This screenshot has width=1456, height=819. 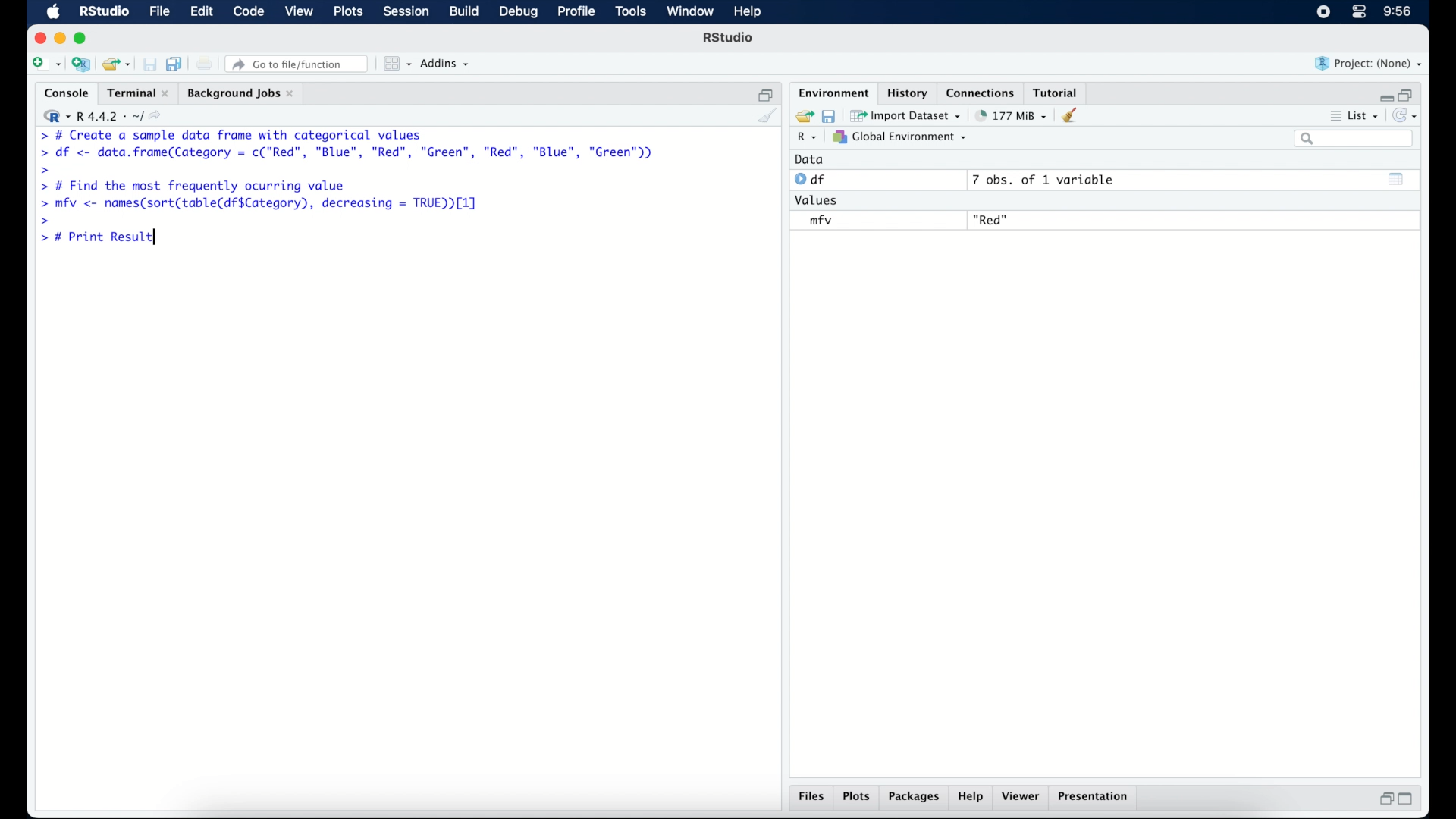 What do you see at coordinates (1012, 115) in the screenshot?
I see `142 MB` at bounding box center [1012, 115].